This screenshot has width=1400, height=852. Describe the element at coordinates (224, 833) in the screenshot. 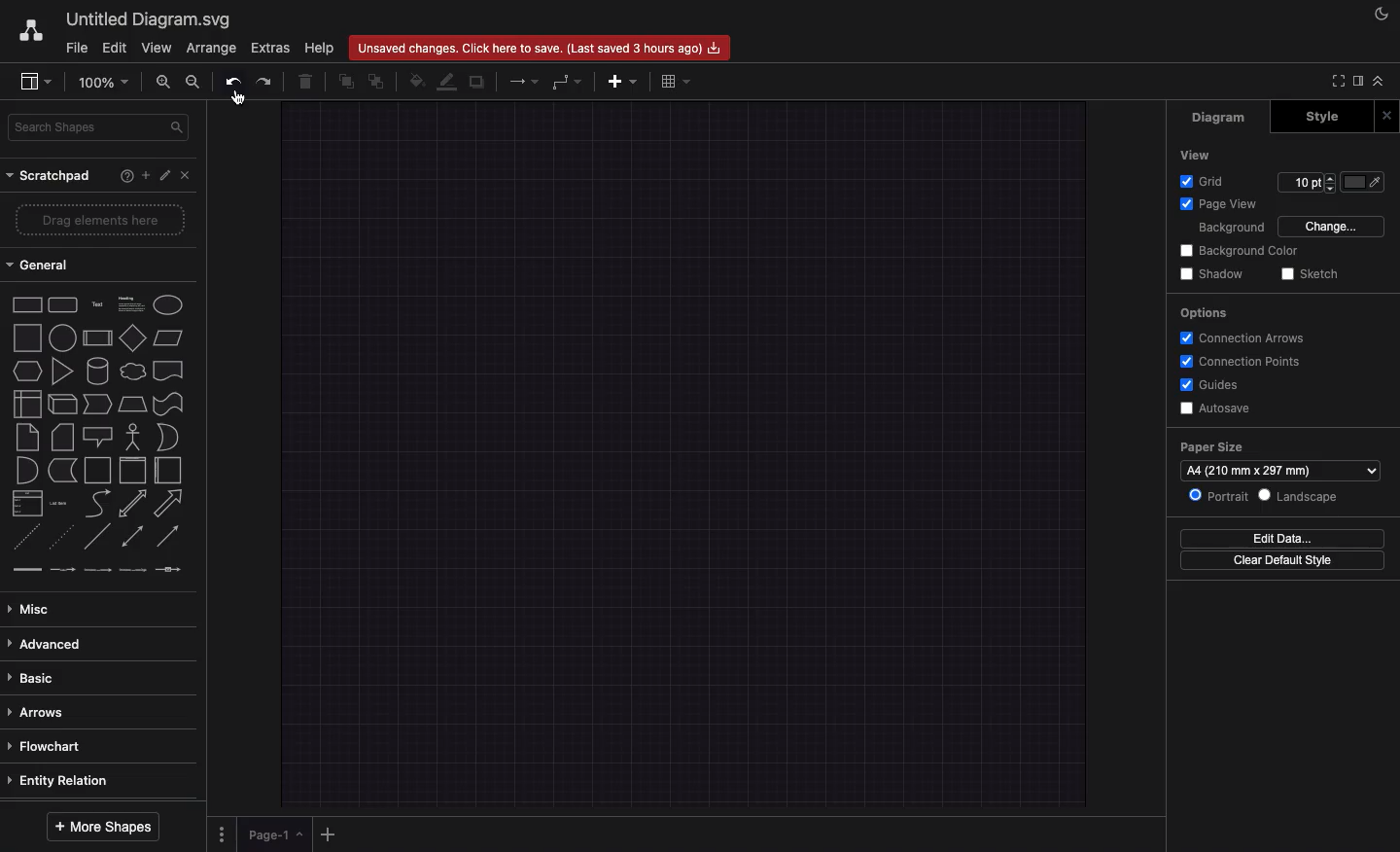

I see `Options ` at that location.